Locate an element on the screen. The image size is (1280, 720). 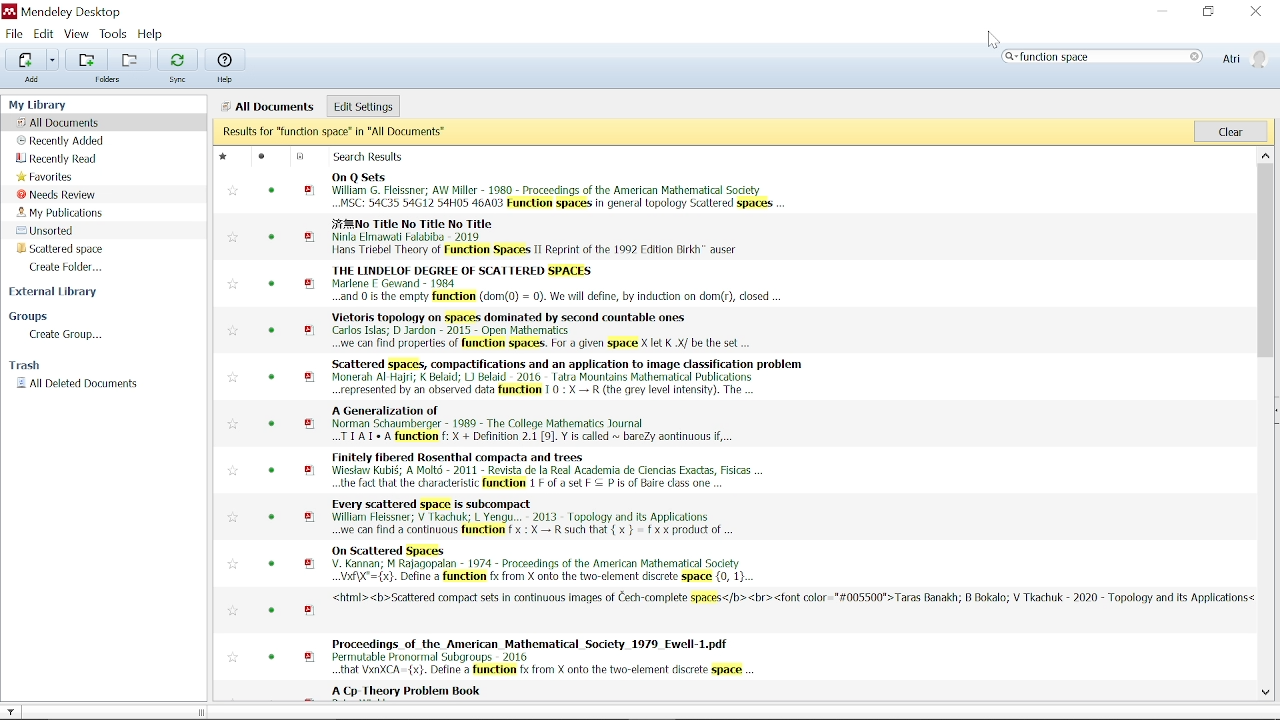
Add to favorite is located at coordinates (232, 563).